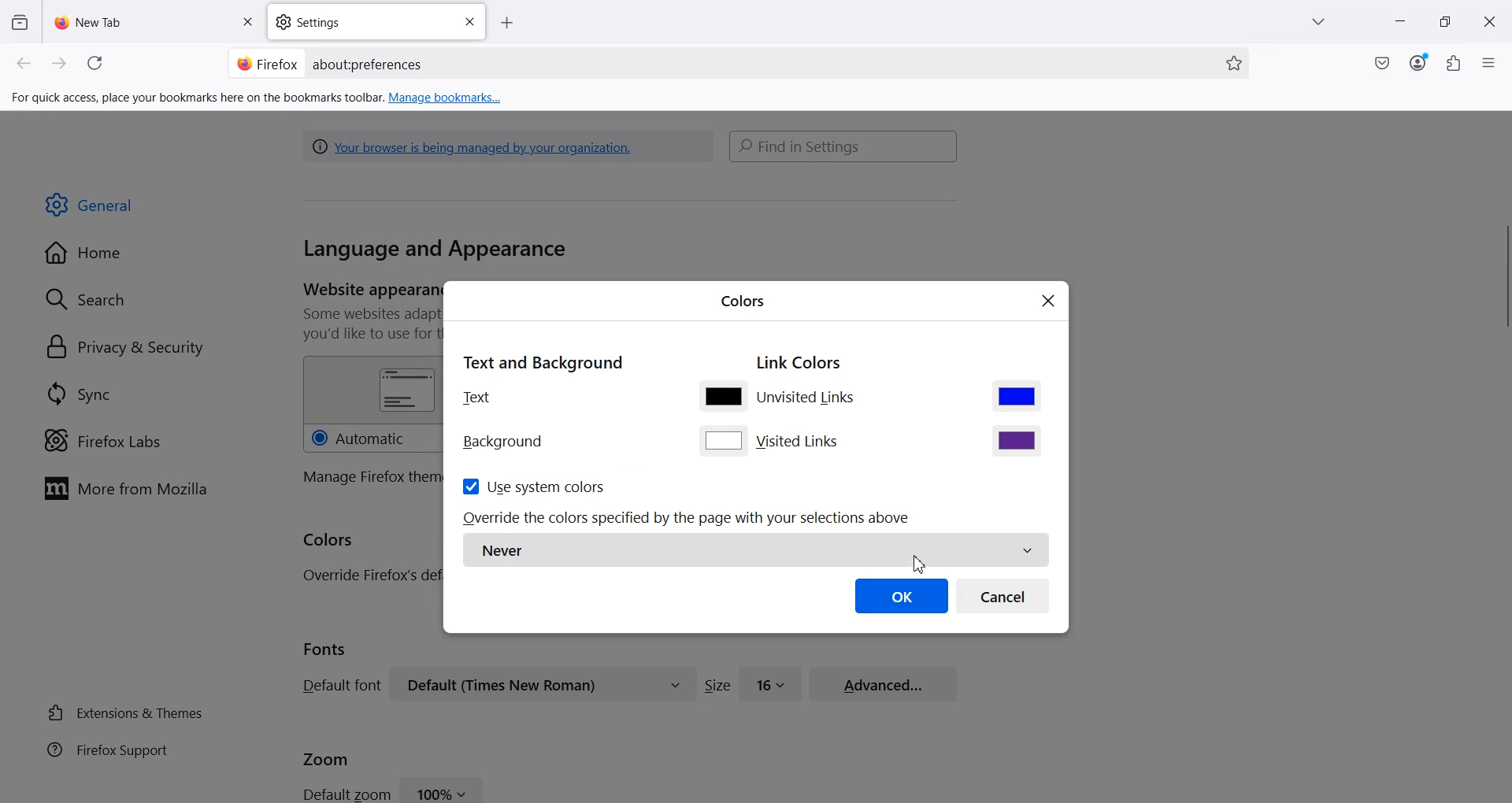 The image size is (1512, 803). I want to click on Never , so click(755, 550).